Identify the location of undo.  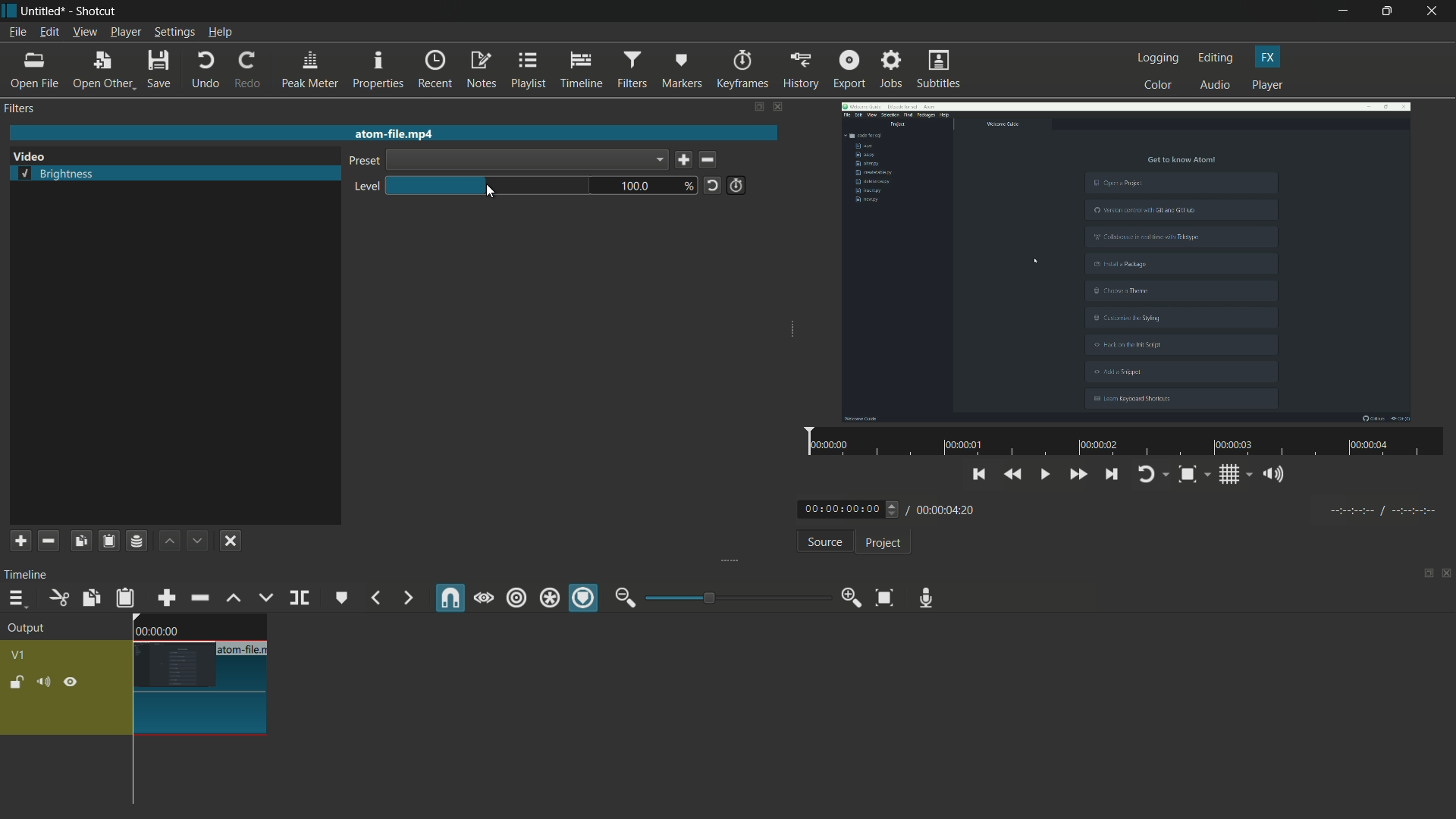
(205, 70).